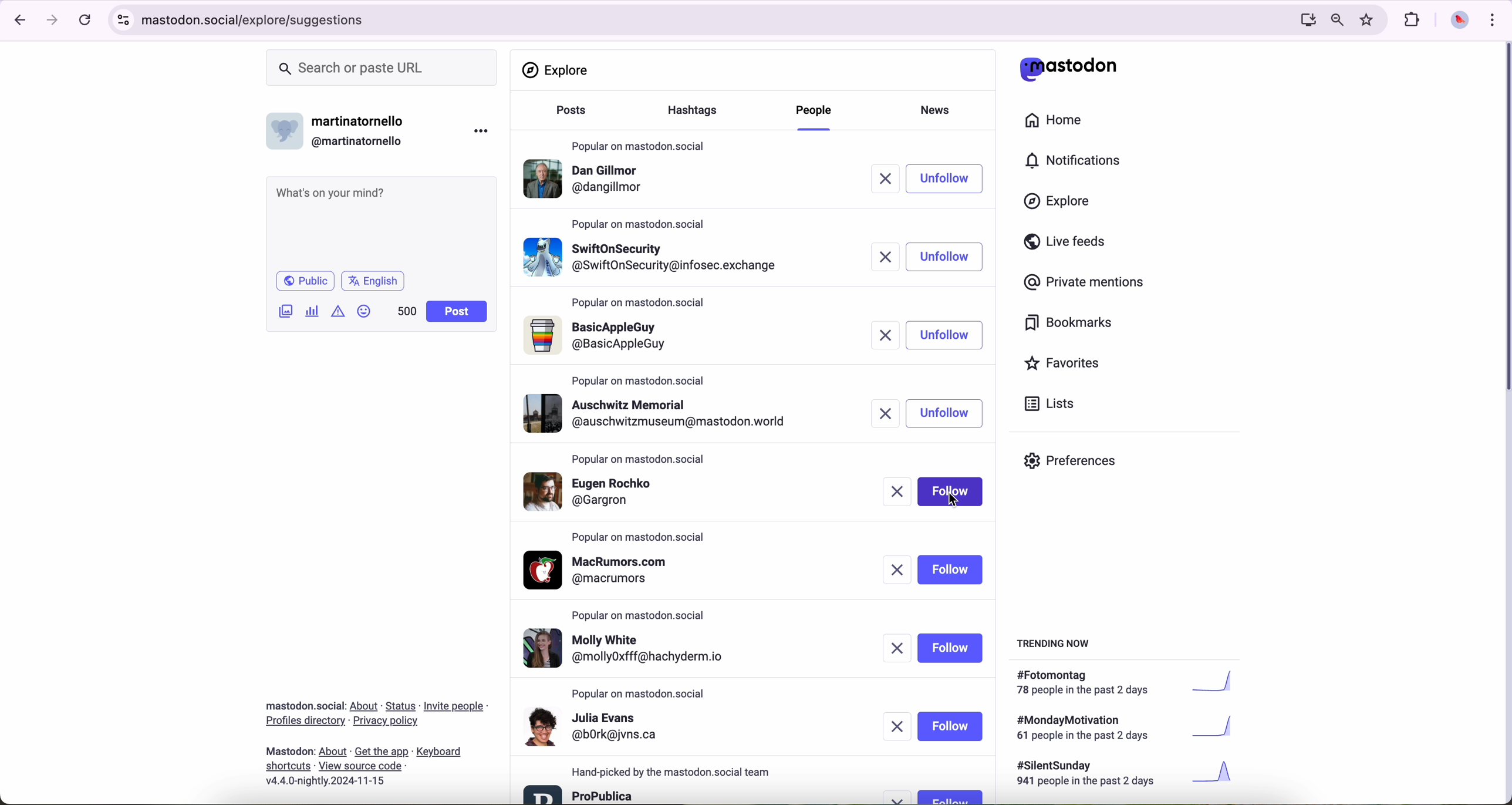 The width and height of the screenshot is (1512, 805). Describe the element at coordinates (939, 109) in the screenshot. I see `news` at that location.